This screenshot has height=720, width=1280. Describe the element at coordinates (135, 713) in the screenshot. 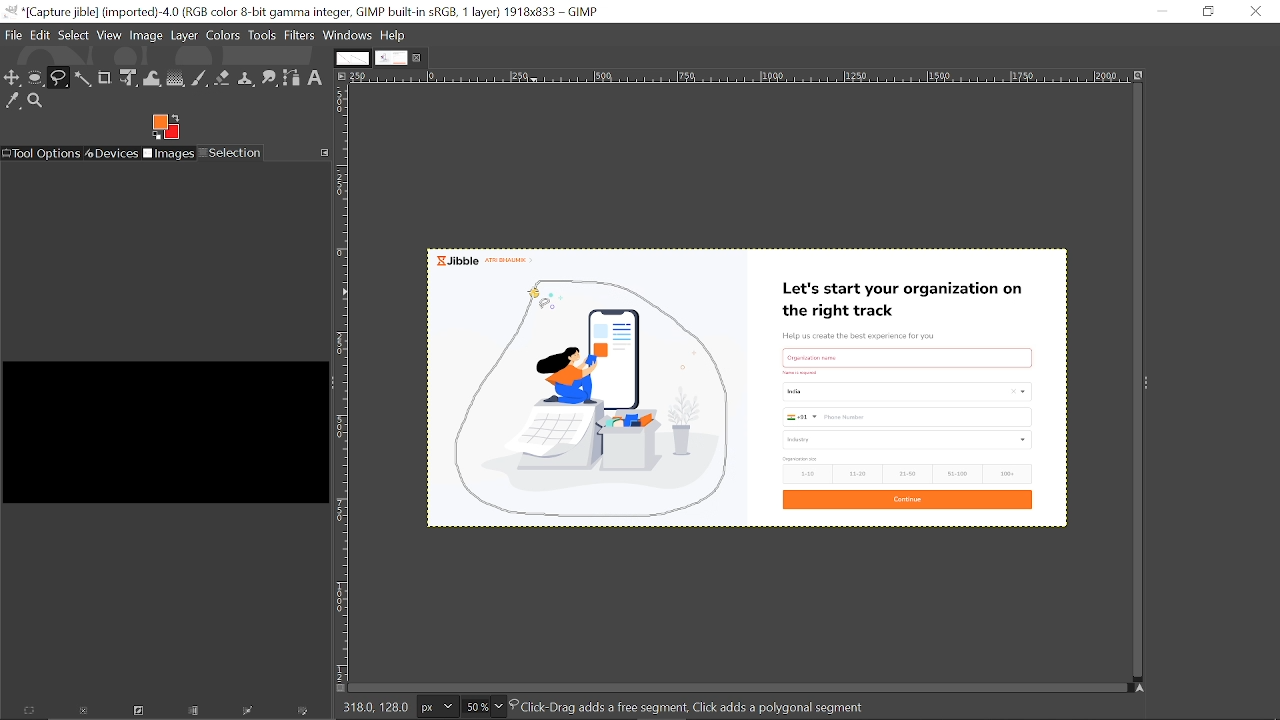

I see `Invert this selection` at that location.